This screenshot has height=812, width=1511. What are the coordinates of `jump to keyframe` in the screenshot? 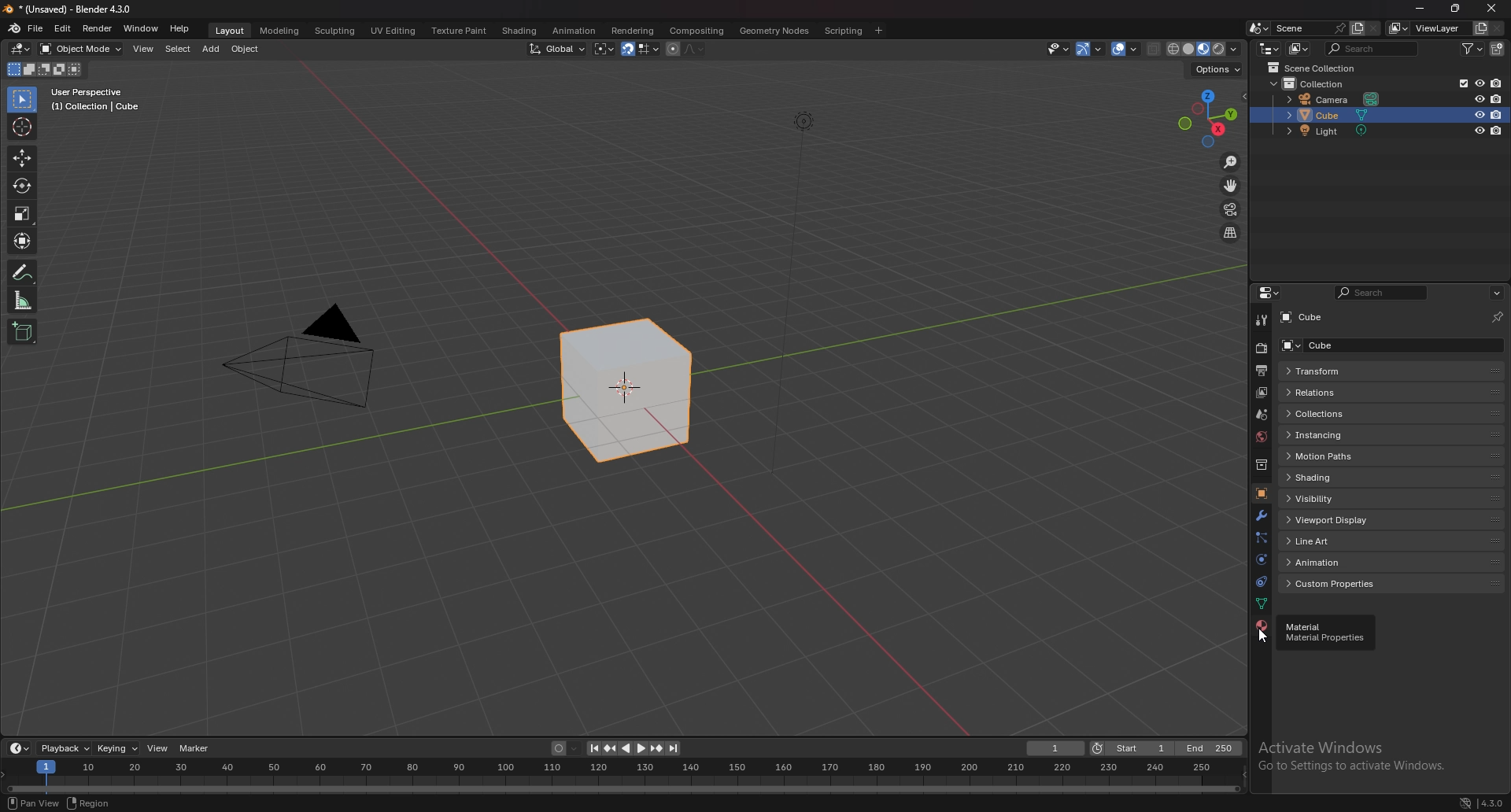 It's located at (609, 748).